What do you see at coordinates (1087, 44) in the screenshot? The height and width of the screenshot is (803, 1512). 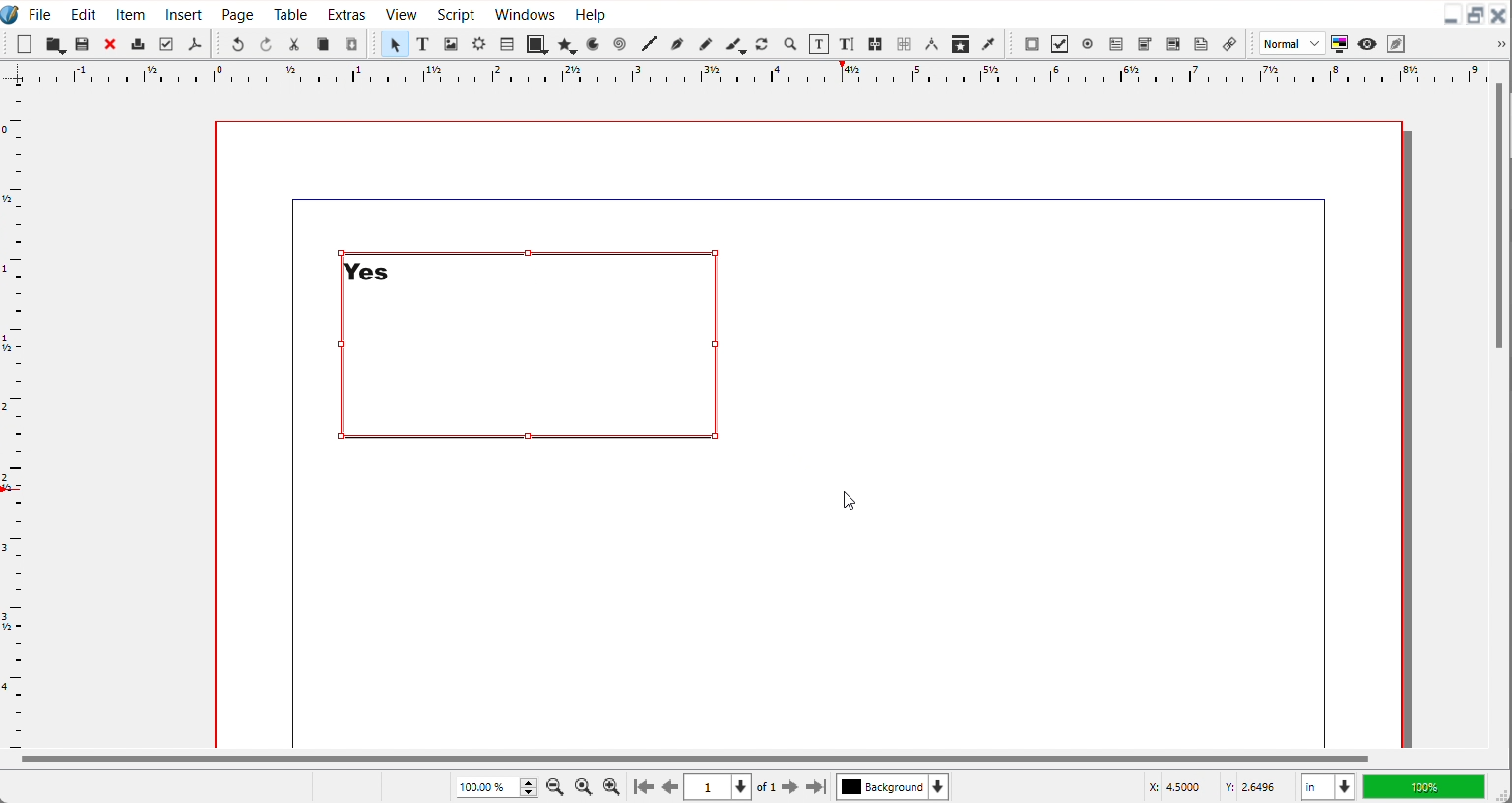 I see `PDF radio button` at bounding box center [1087, 44].